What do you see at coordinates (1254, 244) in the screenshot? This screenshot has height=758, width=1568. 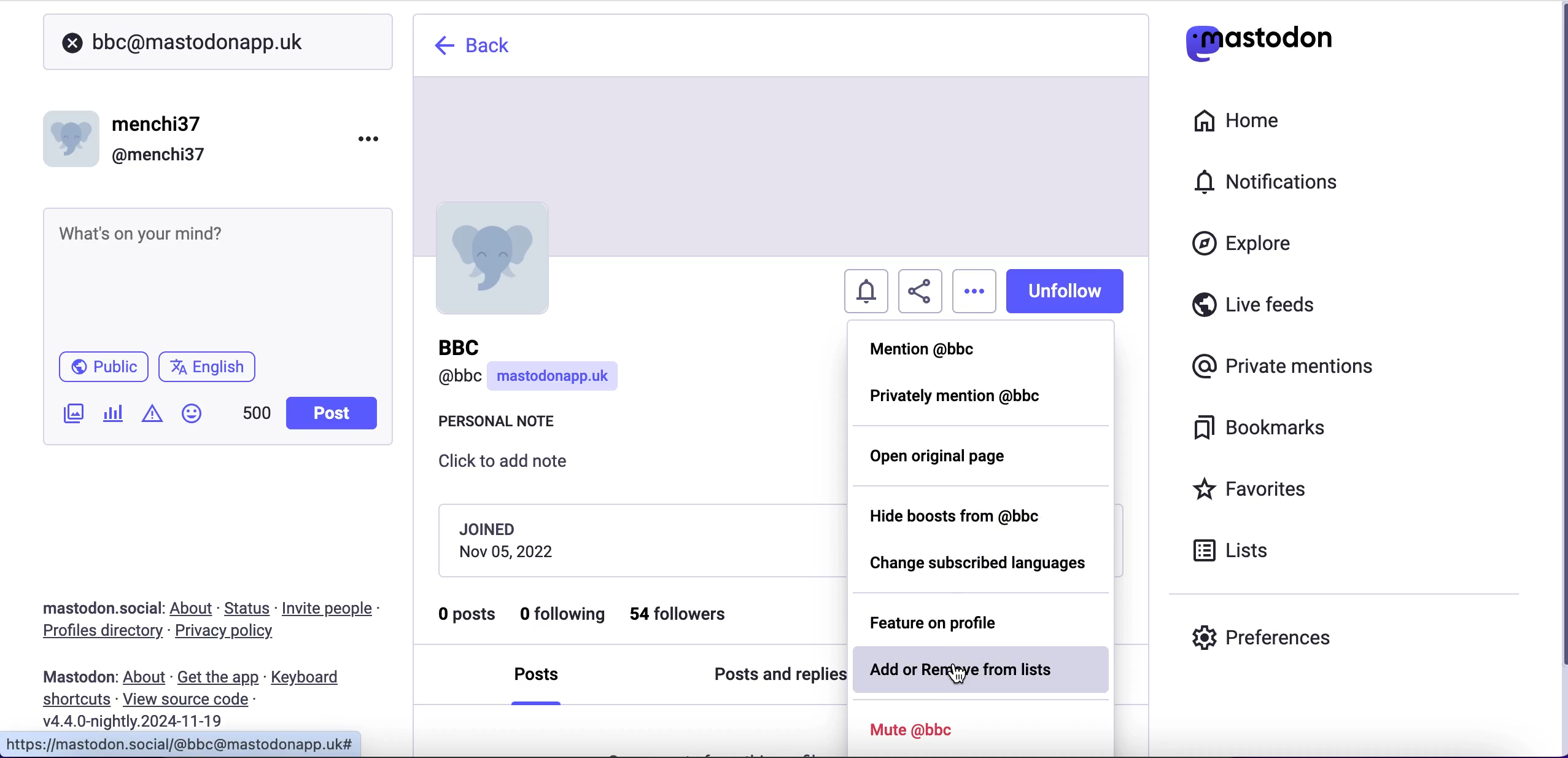 I see `explore` at bounding box center [1254, 244].